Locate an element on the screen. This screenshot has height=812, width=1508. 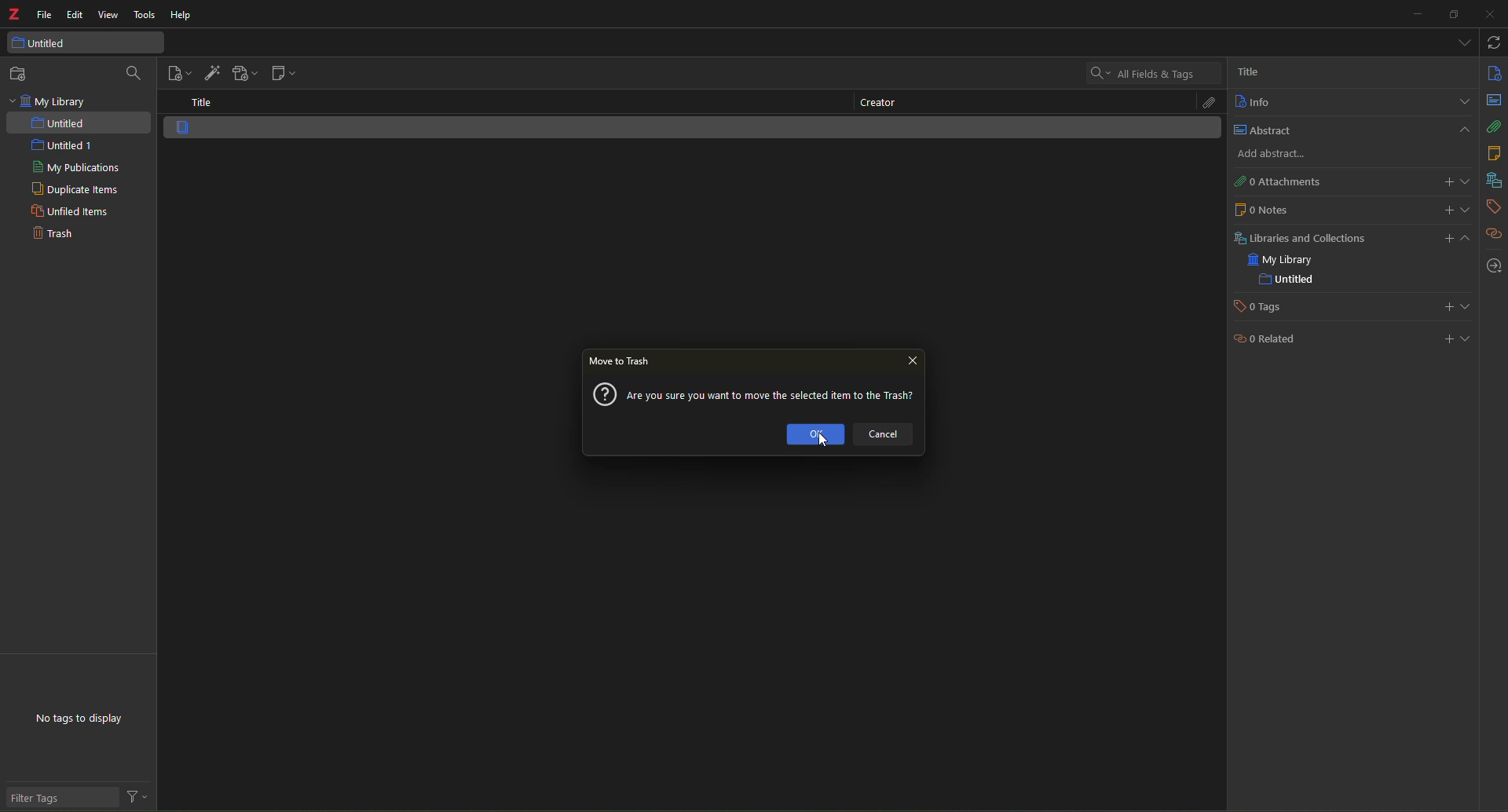
library is located at coordinates (1298, 237).